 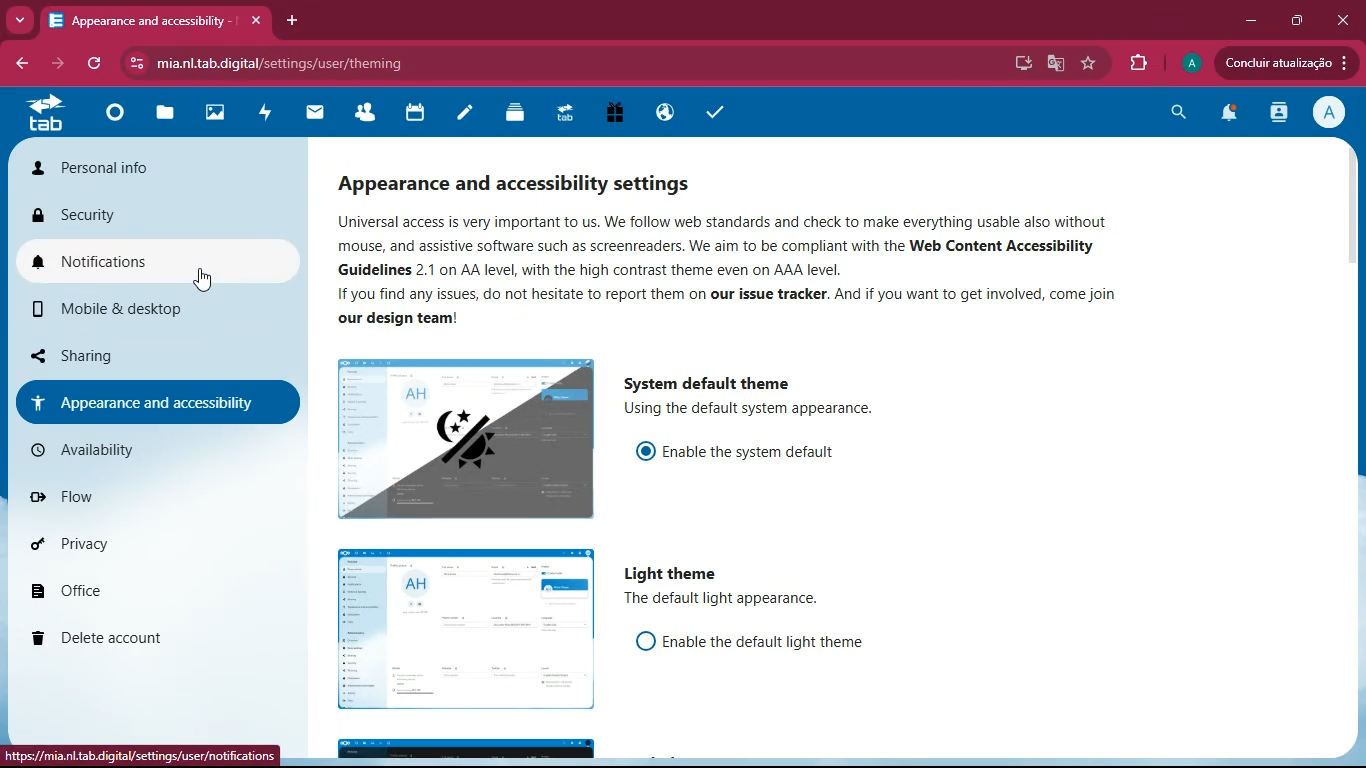 What do you see at coordinates (1141, 64) in the screenshot?
I see `extensions` at bounding box center [1141, 64].